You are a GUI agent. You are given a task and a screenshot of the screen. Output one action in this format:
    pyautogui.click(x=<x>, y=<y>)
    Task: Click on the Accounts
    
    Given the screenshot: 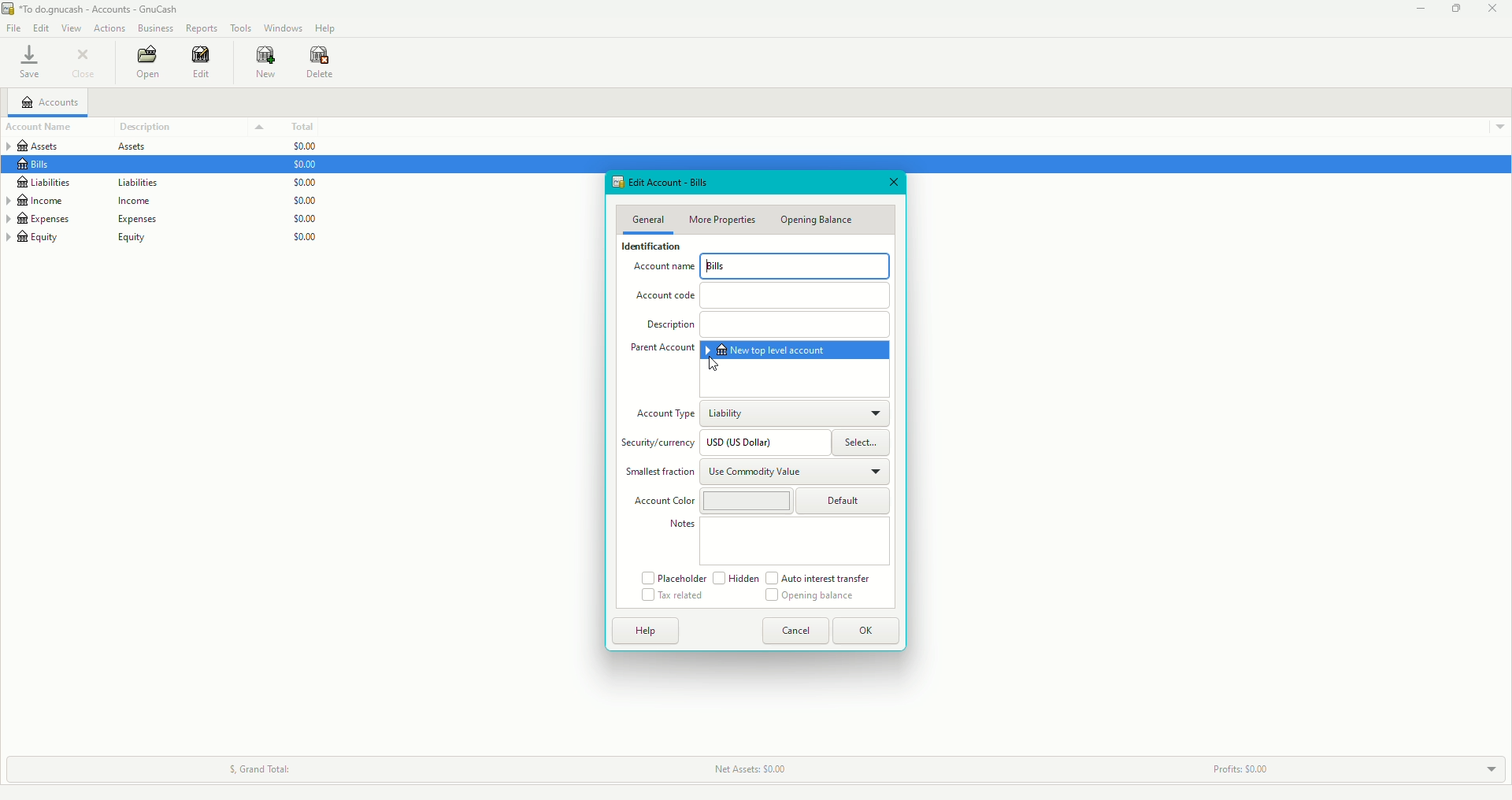 What is the action you would take?
    pyautogui.click(x=54, y=102)
    